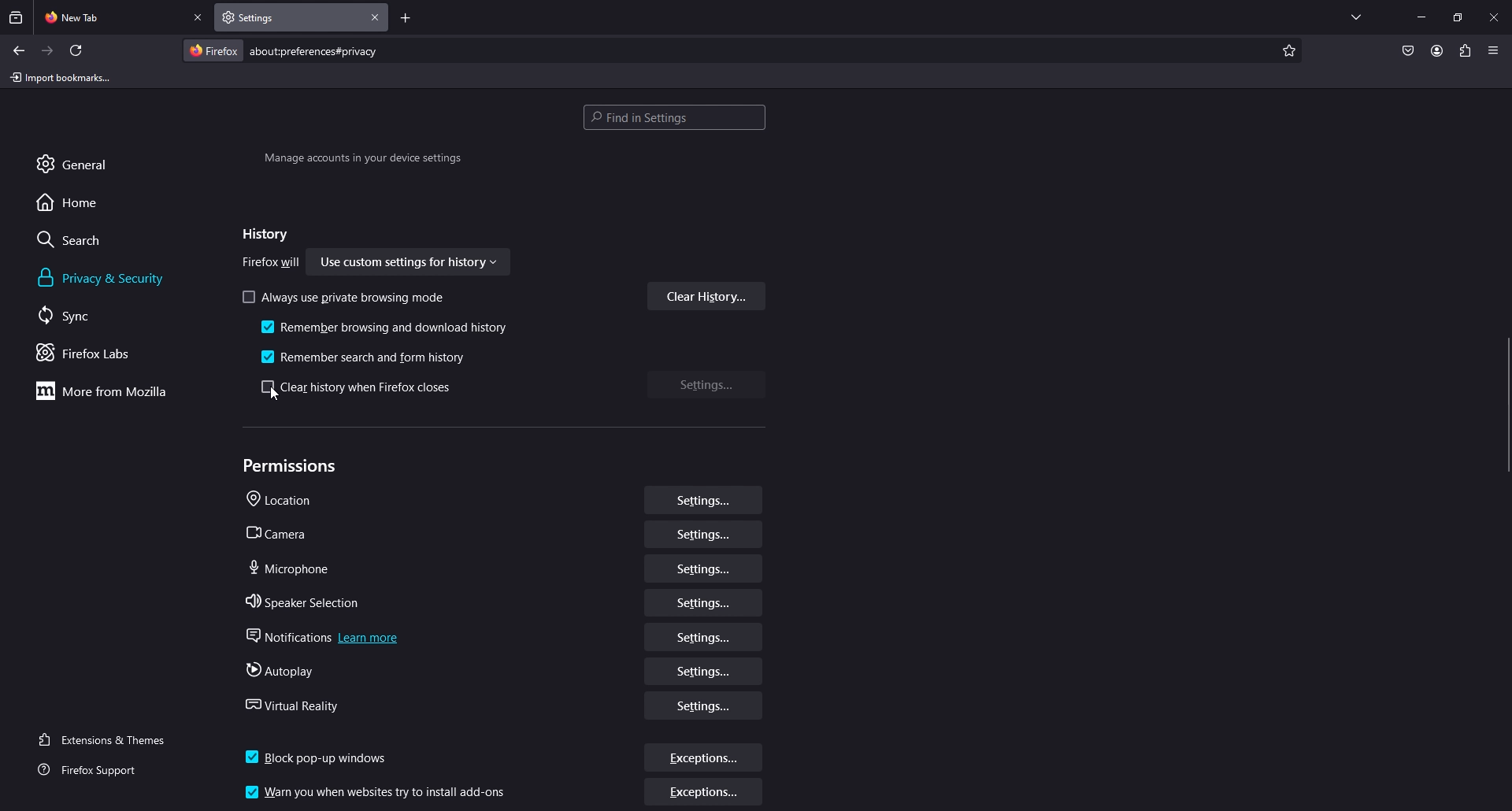 This screenshot has height=811, width=1512. I want to click on recent browsing, so click(17, 17).